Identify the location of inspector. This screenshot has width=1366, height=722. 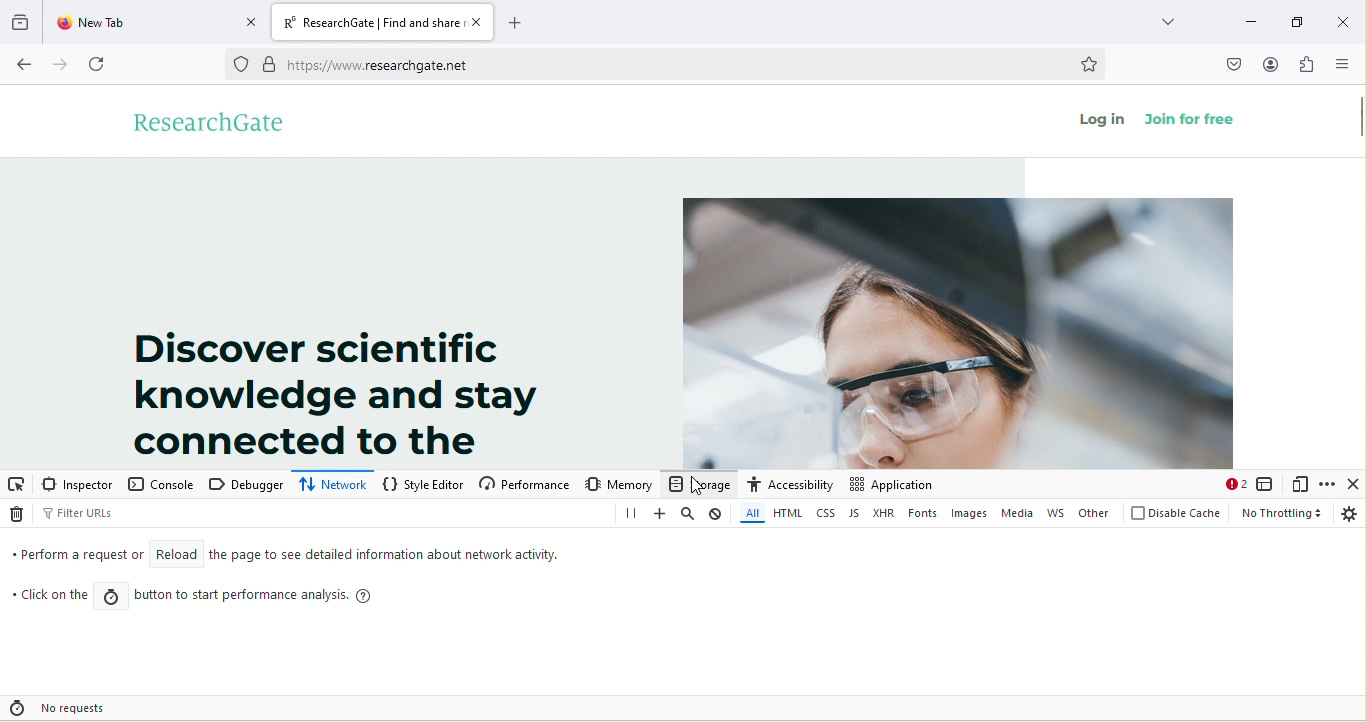
(78, 485).